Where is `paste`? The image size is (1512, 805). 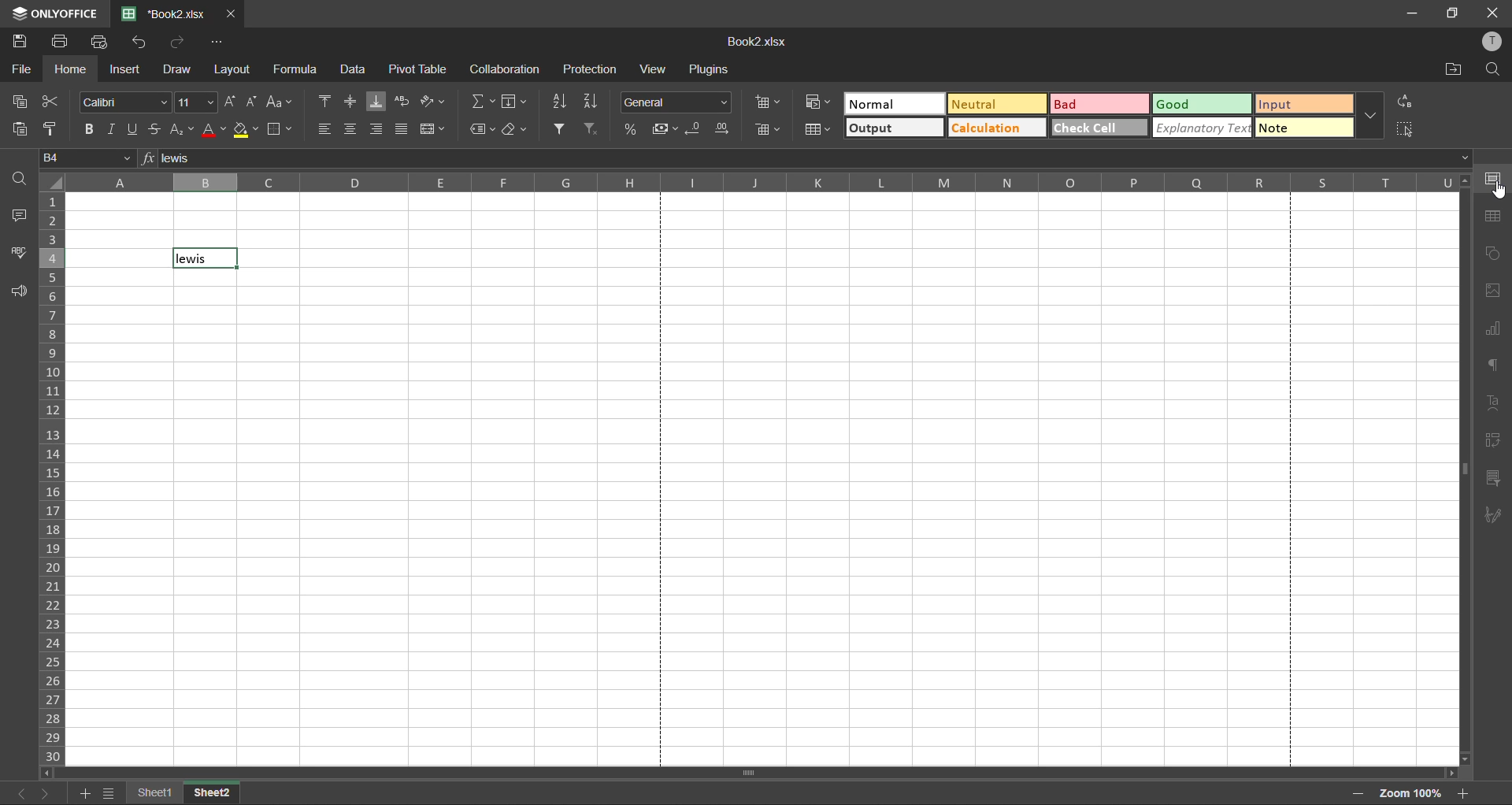
paste is located at coordinates (24, 130).